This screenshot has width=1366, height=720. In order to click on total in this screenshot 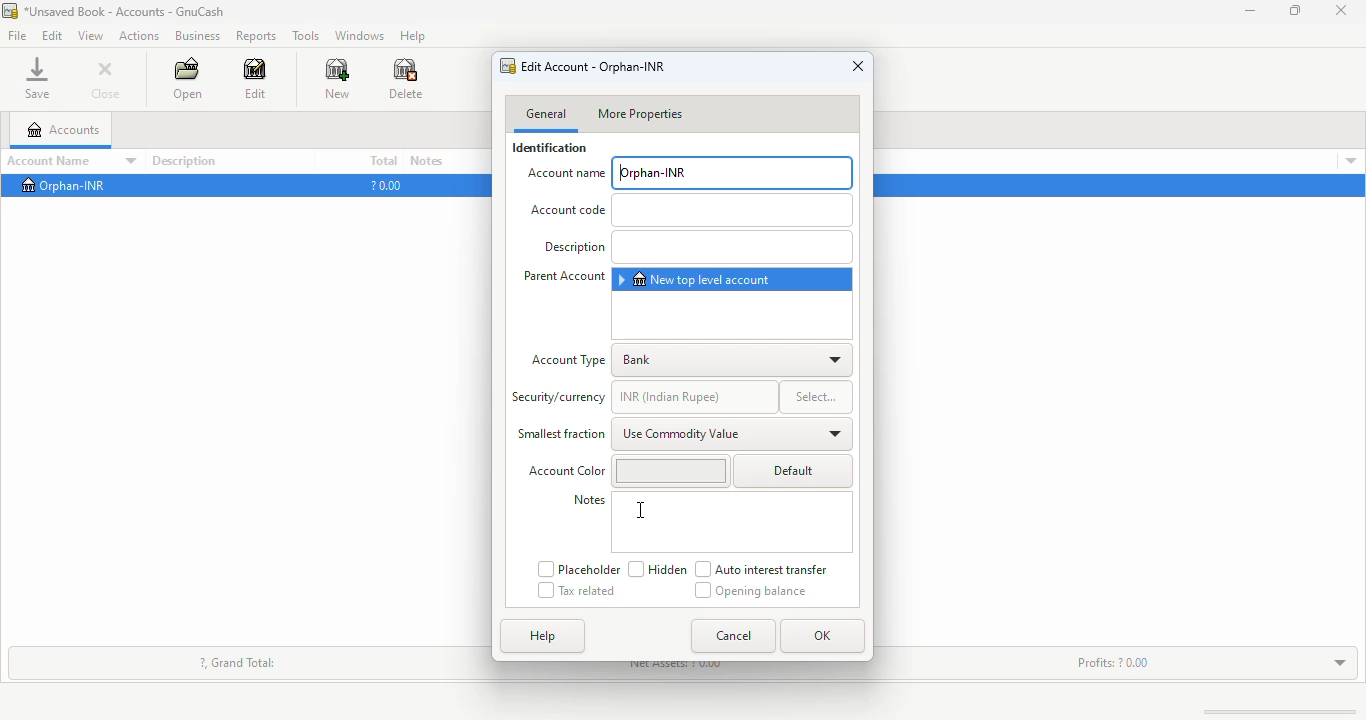, I will do `click(384, 160)`.